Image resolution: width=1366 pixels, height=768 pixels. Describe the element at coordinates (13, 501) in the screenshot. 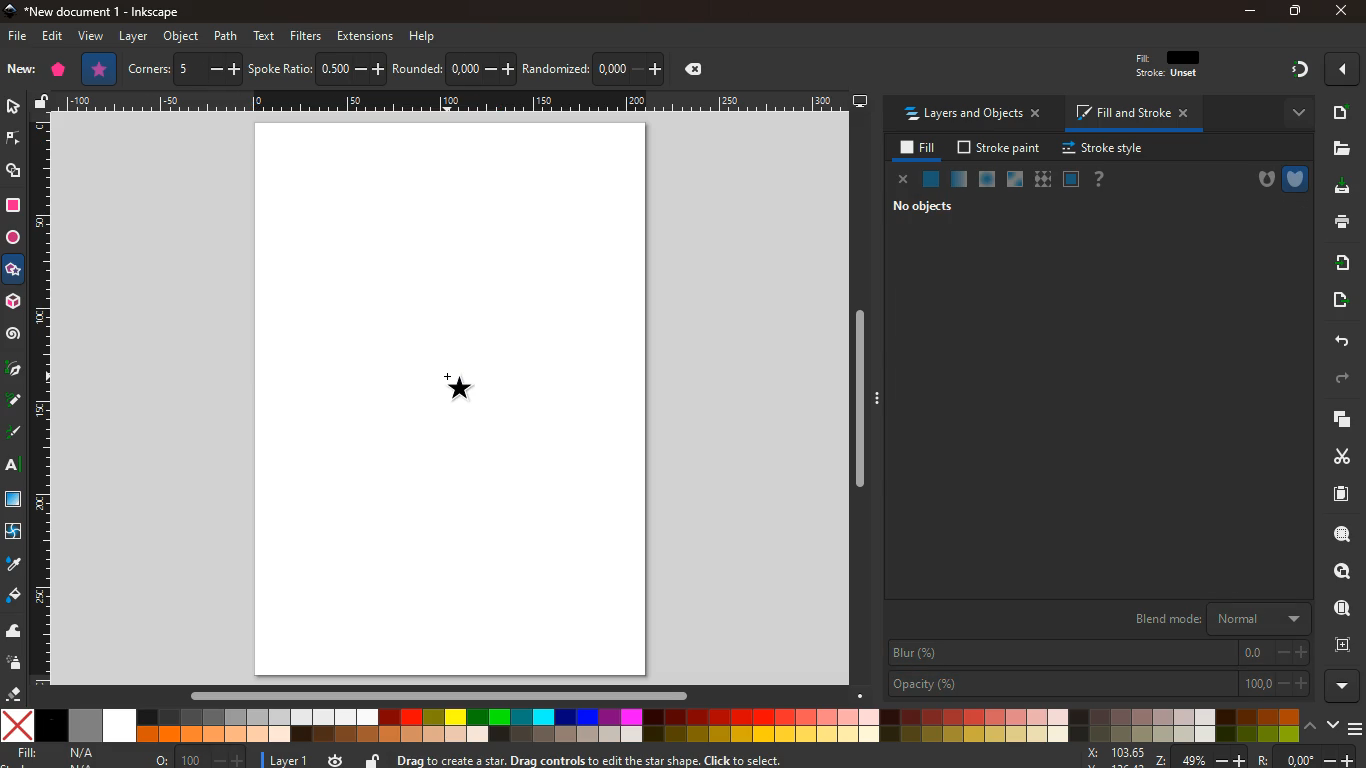

I see `square` at that location.